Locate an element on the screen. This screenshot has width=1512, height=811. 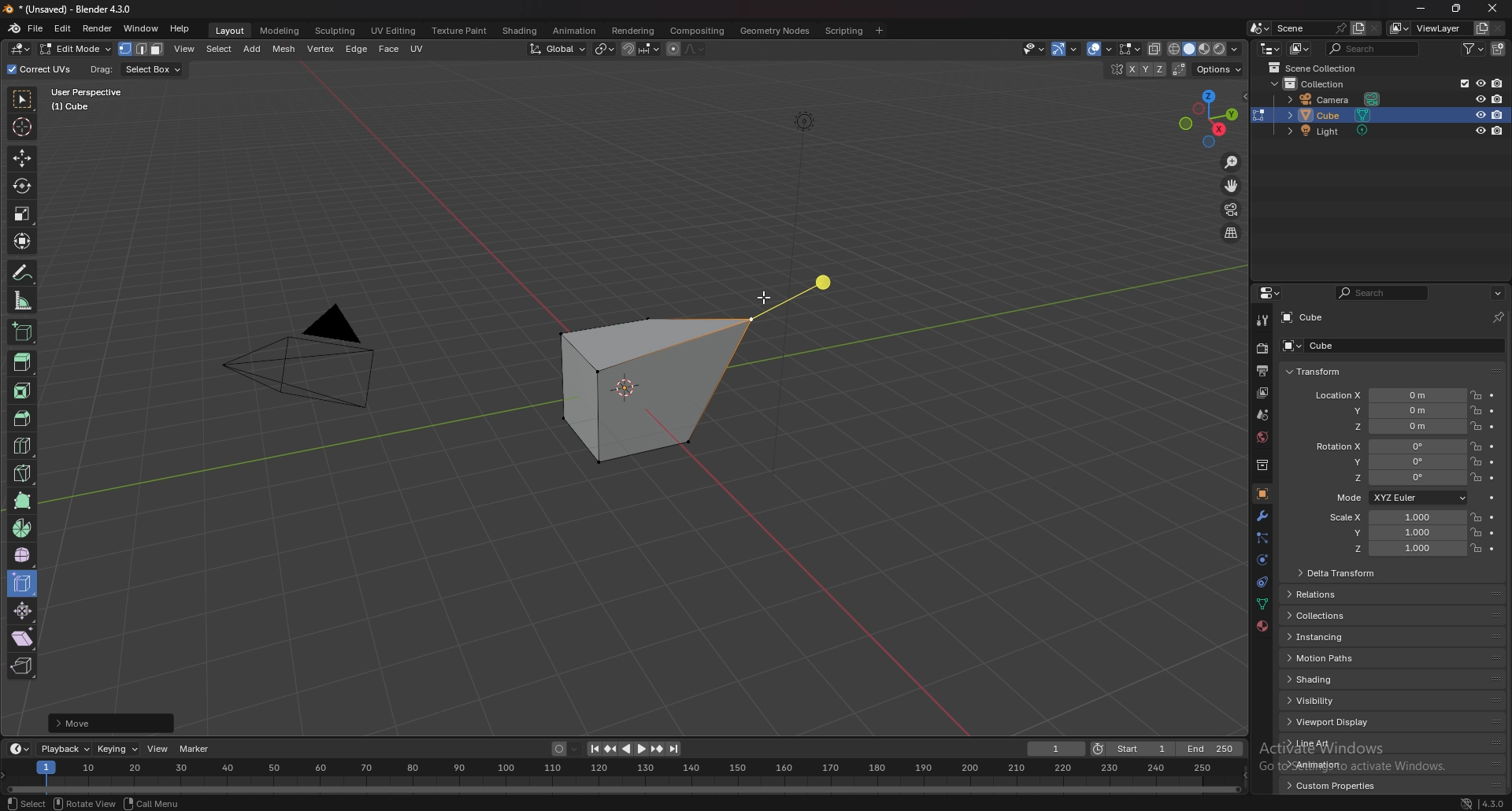
layout is located at coordinates (231, 31).